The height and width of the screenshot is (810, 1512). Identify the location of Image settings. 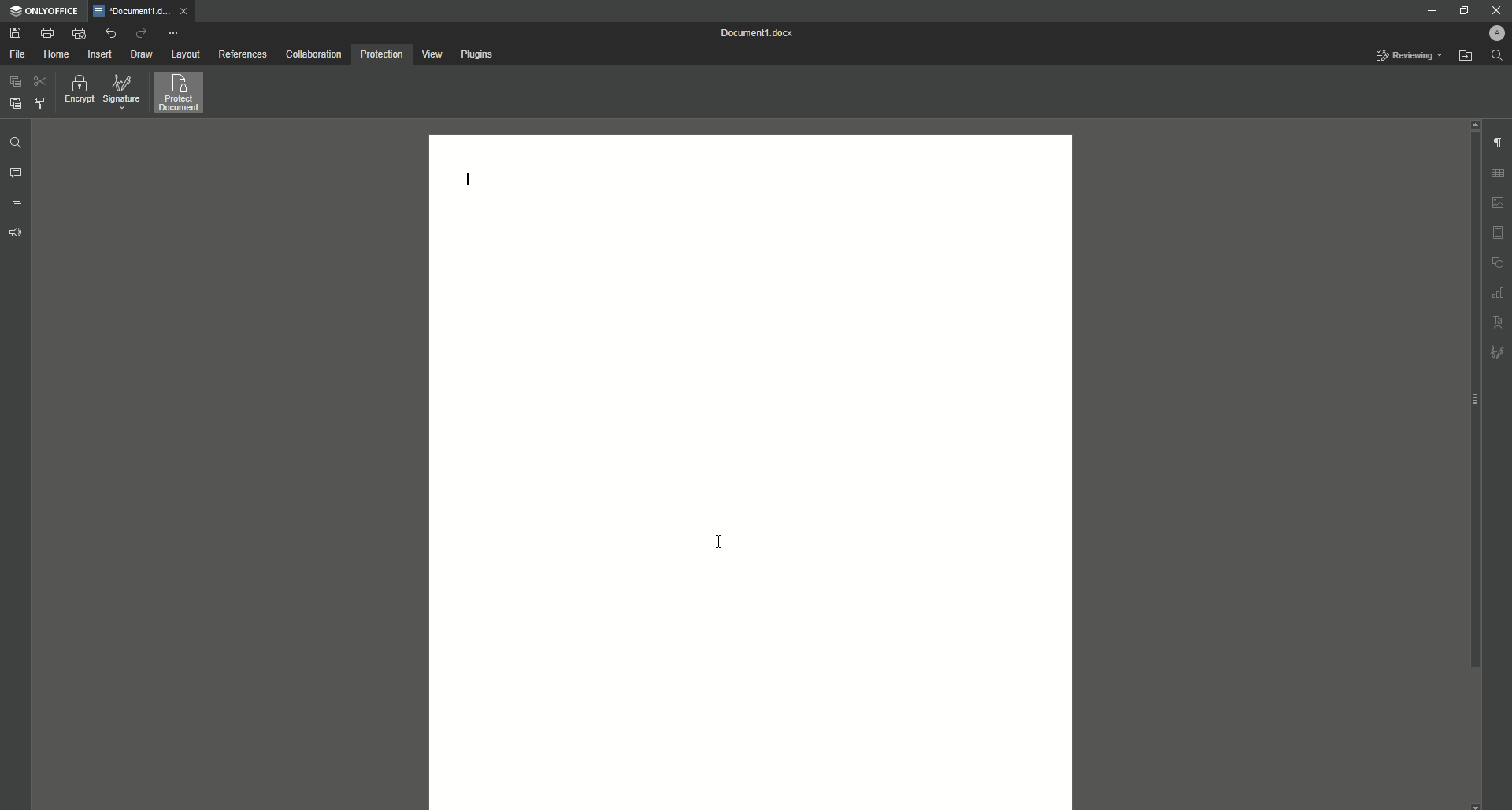
(1499, 202).